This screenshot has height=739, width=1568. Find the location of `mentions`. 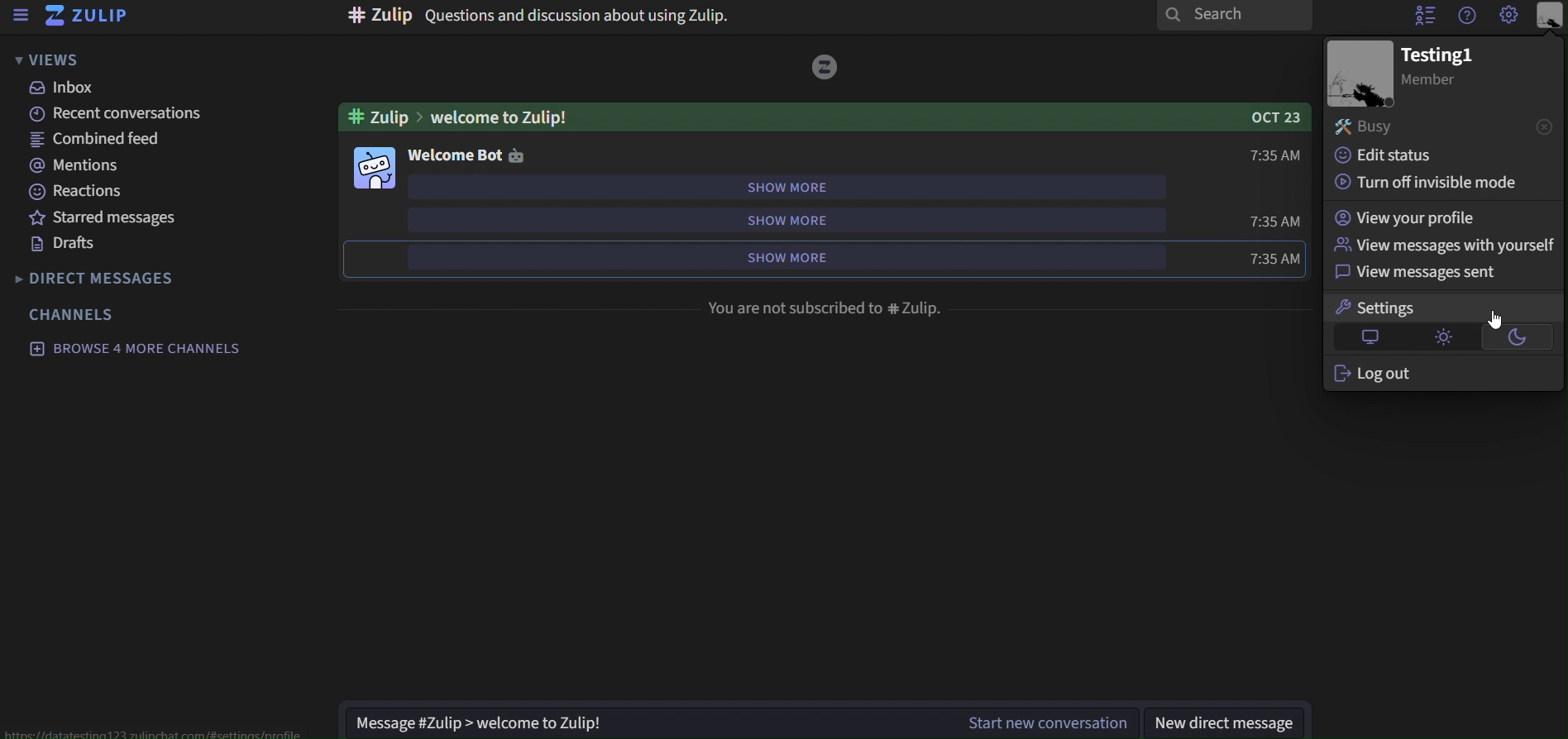

mentions is located at coordinates (147, 163).